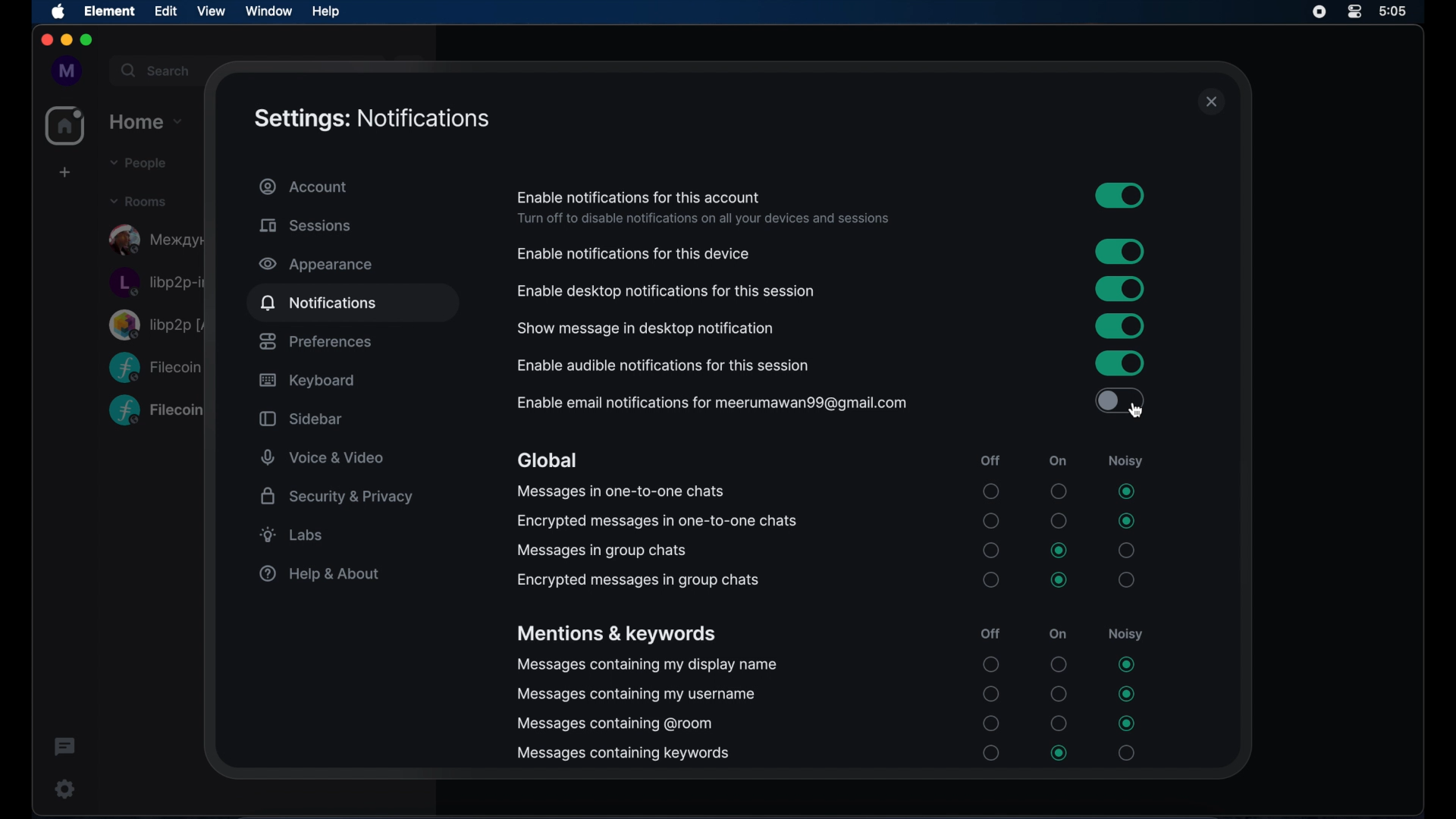  Describe the element at coordinates (1058, 633) in the screenshot. I see `on` at that location.